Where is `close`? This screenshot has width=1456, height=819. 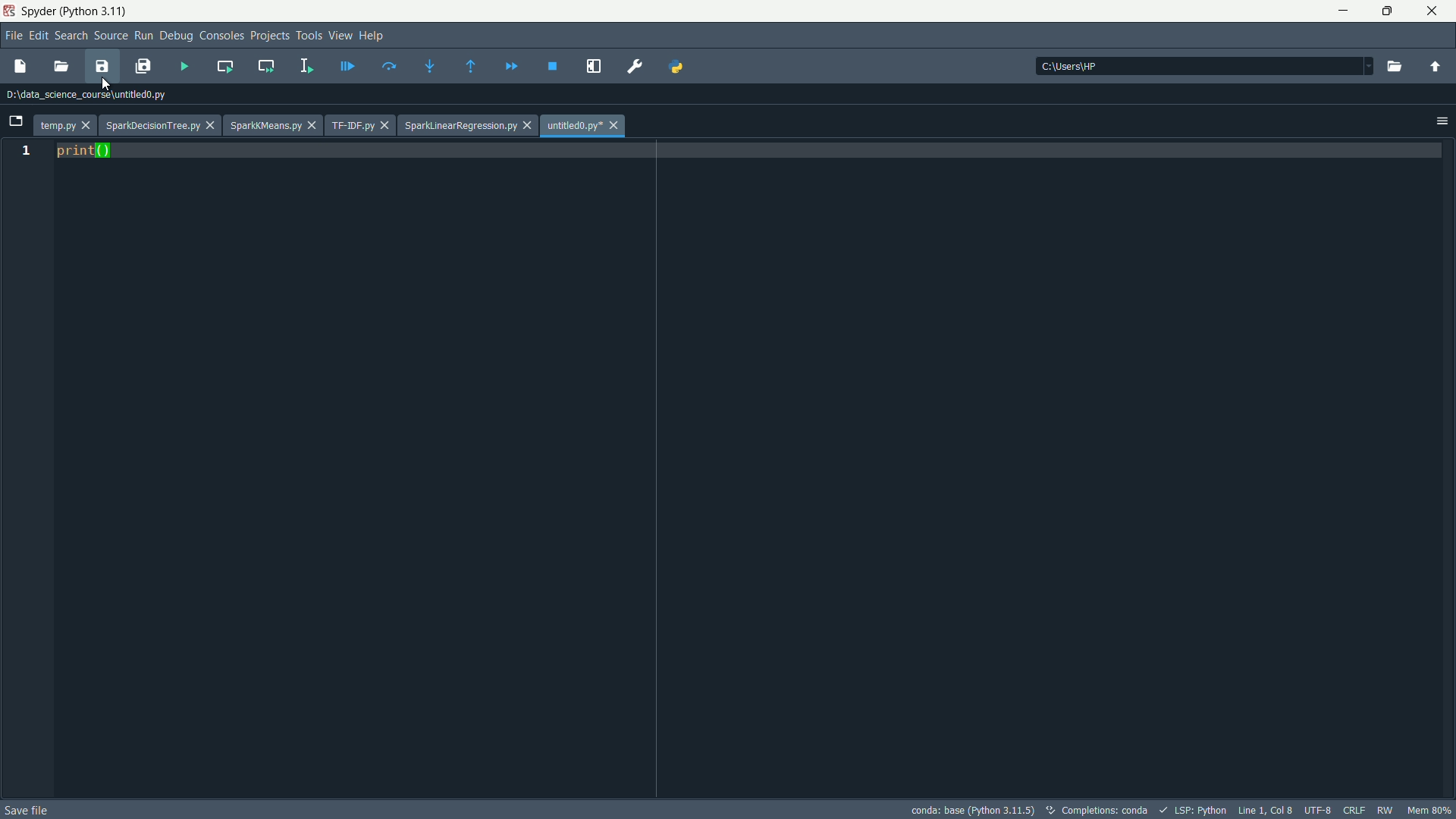
close is located at coordinates (386, 126).